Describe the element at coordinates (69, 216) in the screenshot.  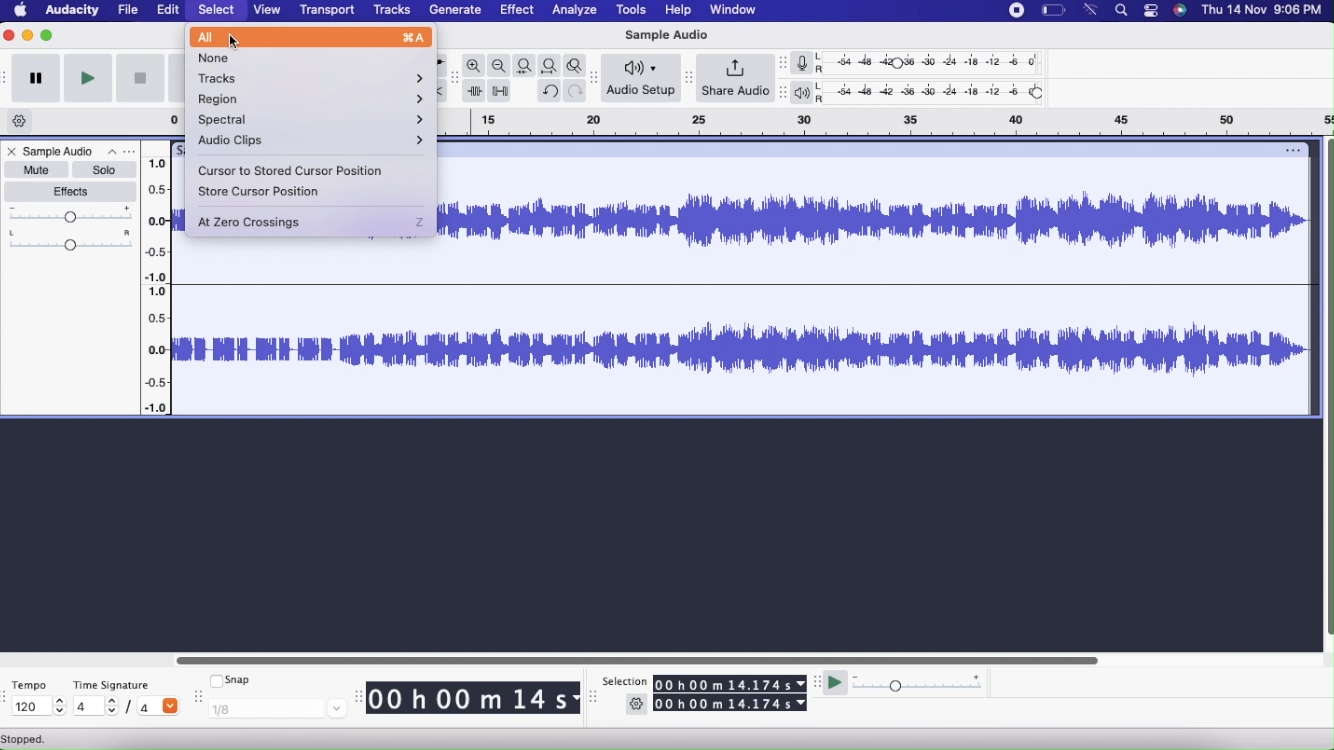
I see `Gain Slider` at that location.